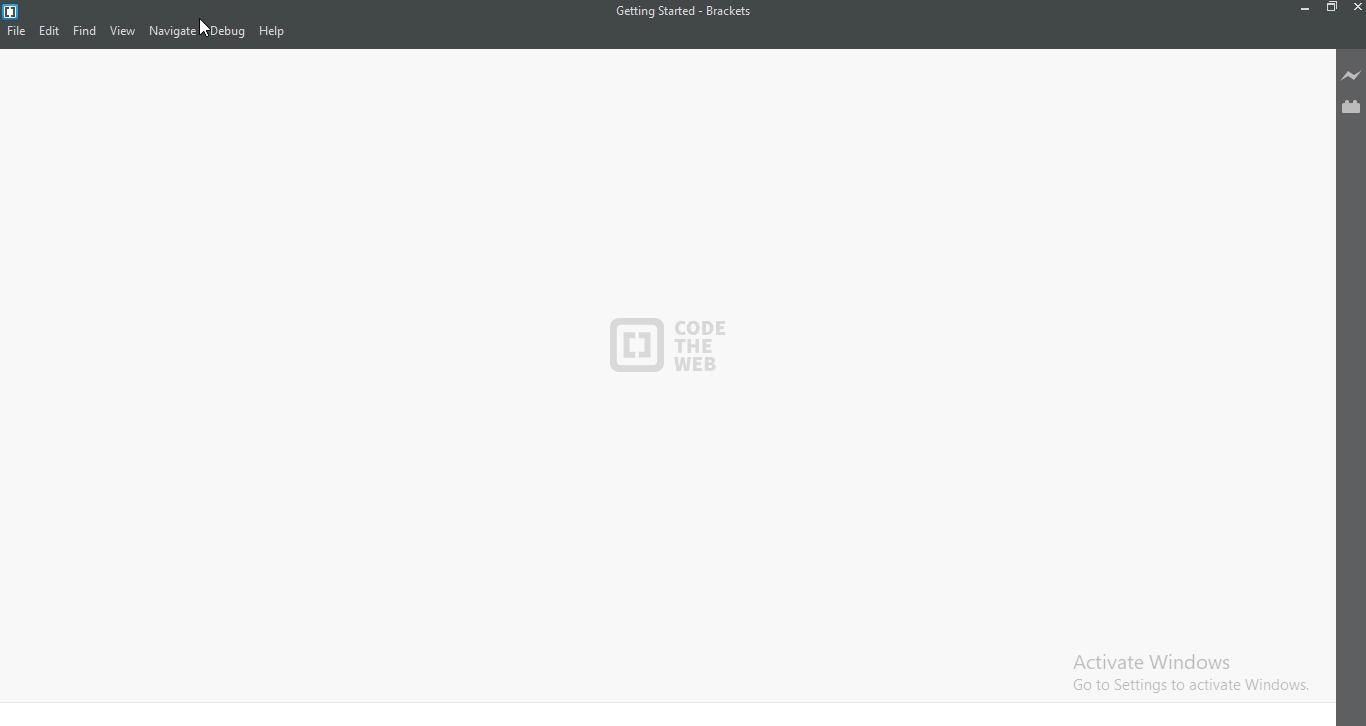 The width and height of the screenshot is (1366, 726). I want to click on Find, so click(86, 31).